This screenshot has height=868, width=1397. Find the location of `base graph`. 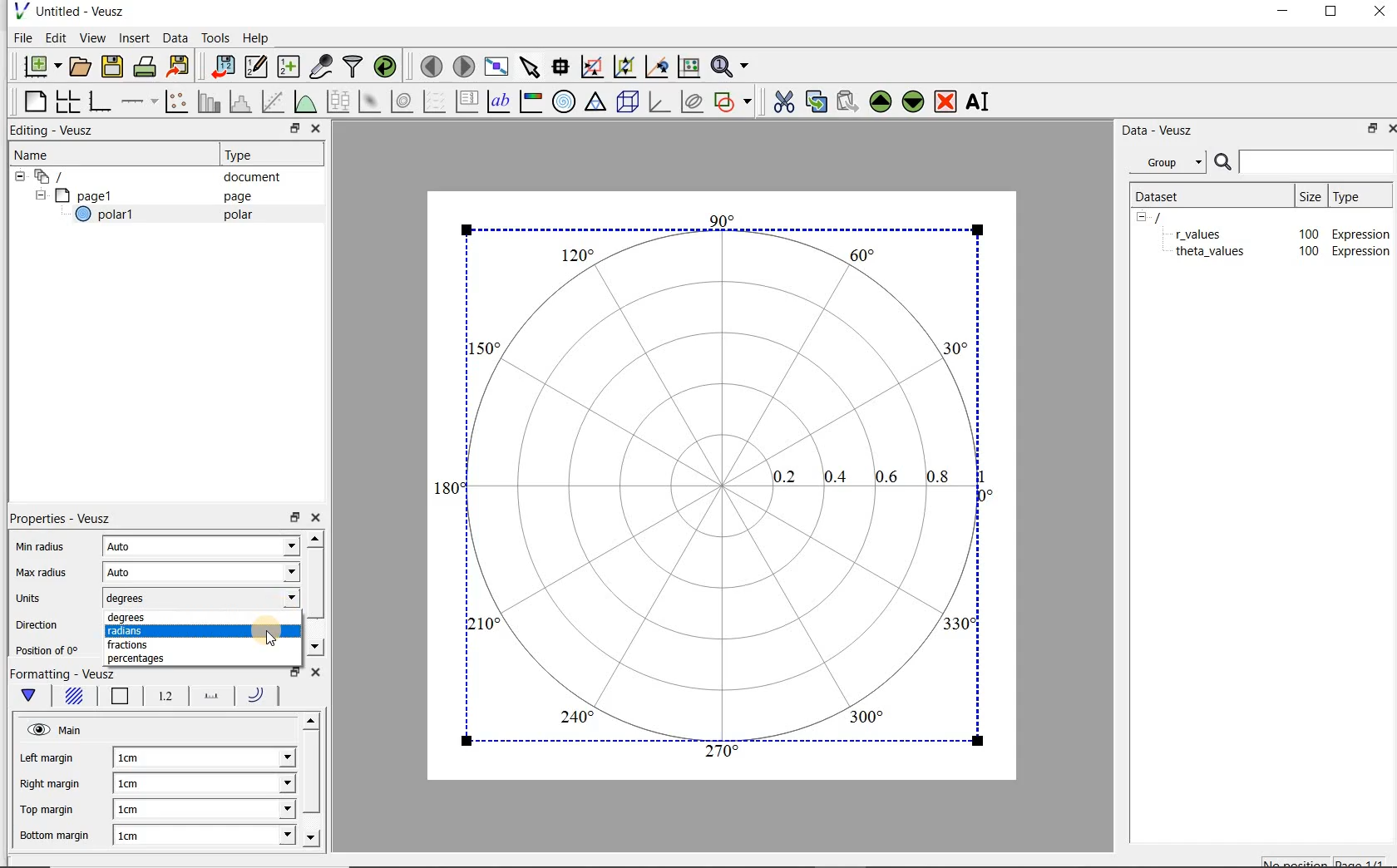

base graph is located at coordinates (99, 102).